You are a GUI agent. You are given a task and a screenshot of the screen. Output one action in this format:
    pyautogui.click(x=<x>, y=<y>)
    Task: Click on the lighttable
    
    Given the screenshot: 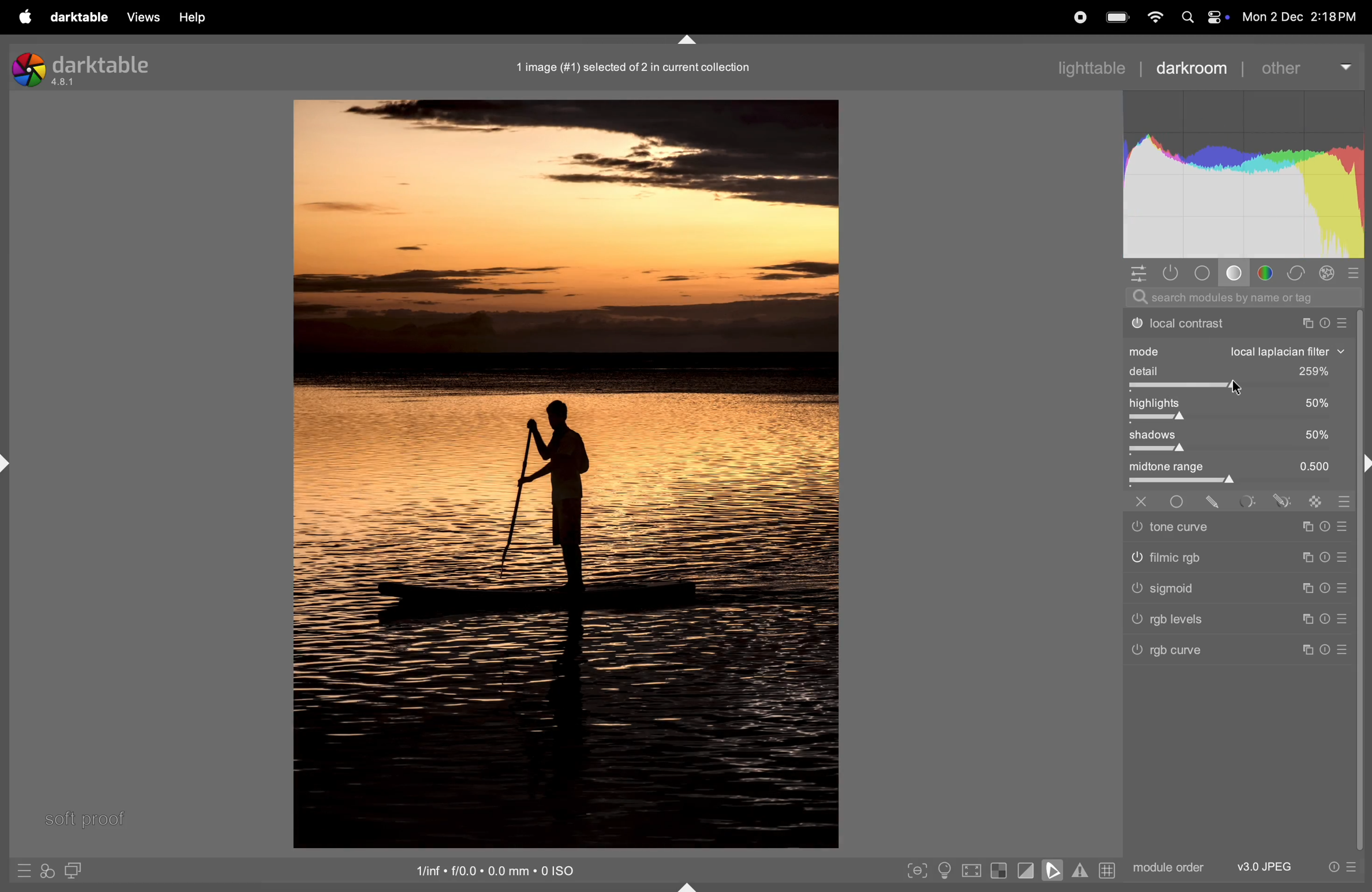 What is the action you would take?
    pyautogui.click(x=1092, y=67)
    